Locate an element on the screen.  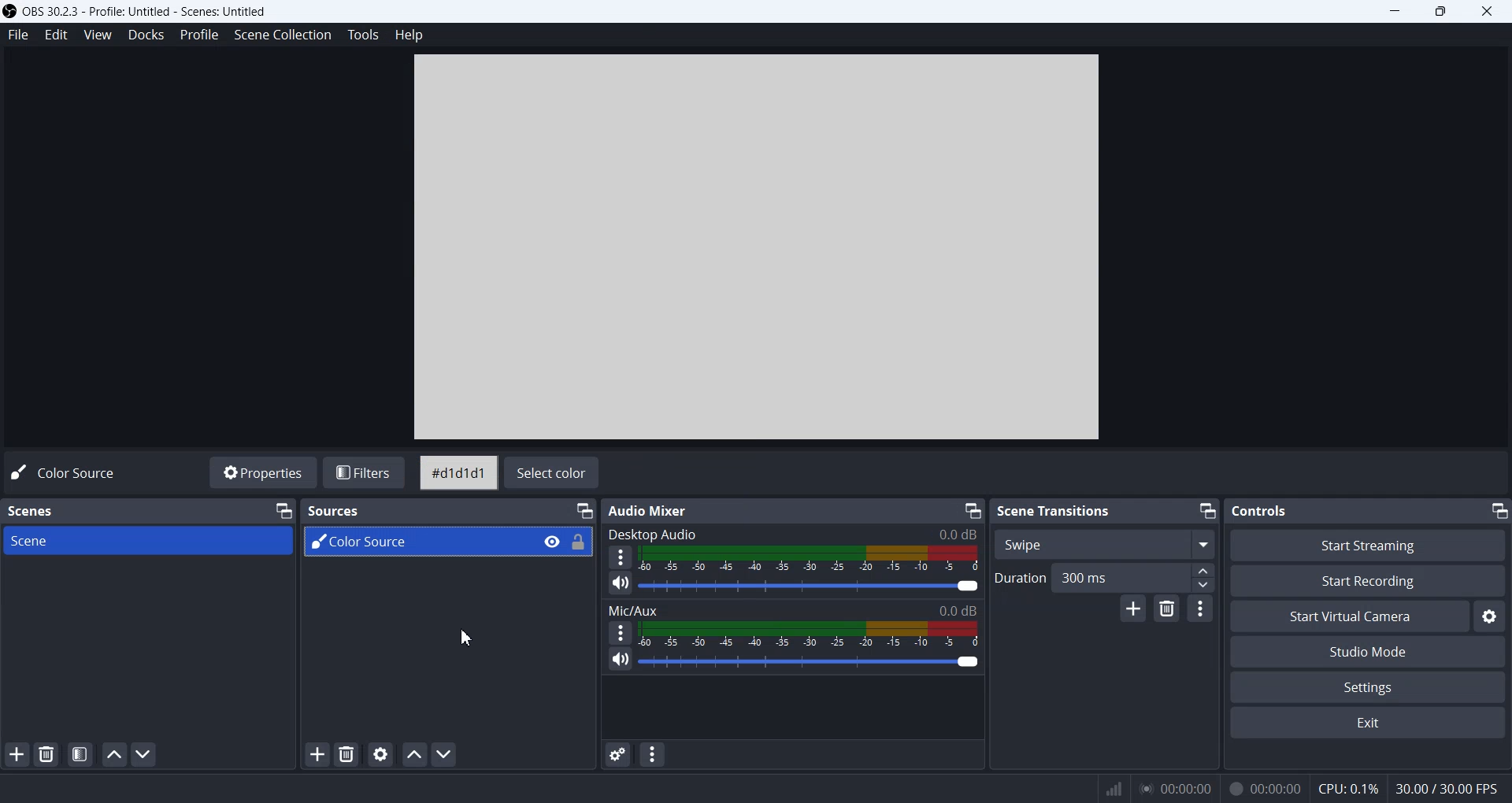
CPU: 0.1% is located at coordinates (1343, 786).